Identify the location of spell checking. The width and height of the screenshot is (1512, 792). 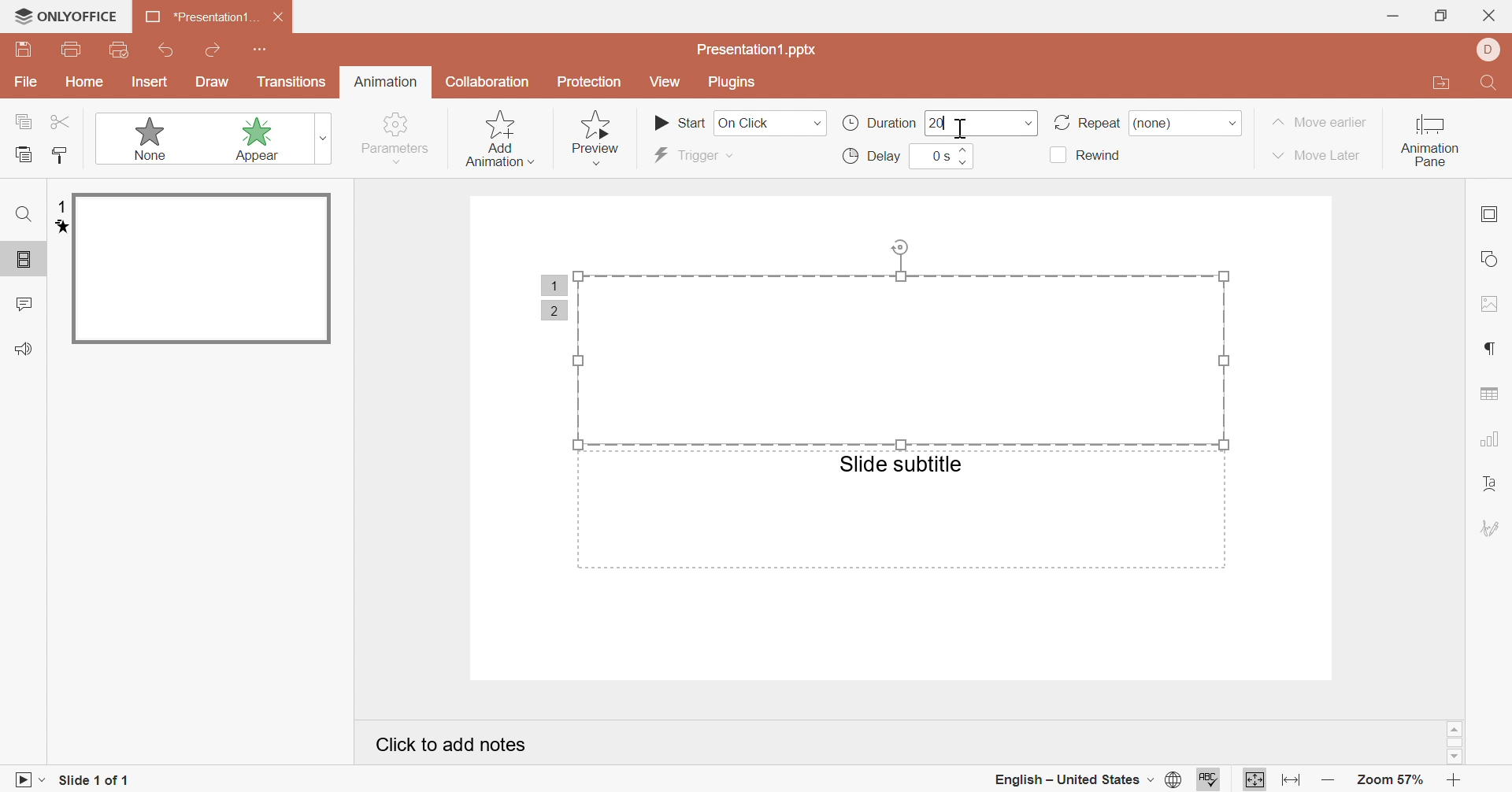
(1212, 783).